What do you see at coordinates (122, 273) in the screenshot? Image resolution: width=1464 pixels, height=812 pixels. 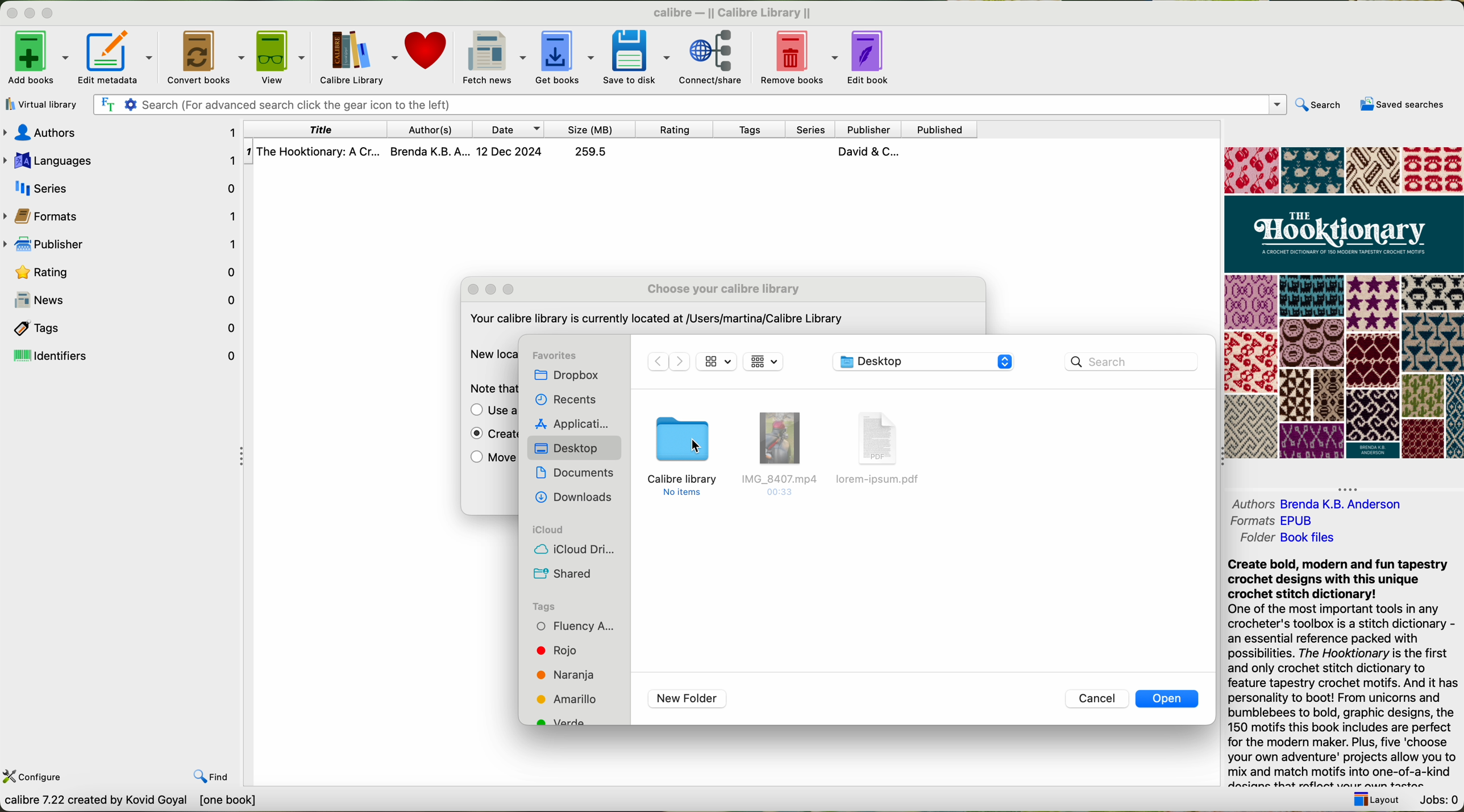 I see `rating` at bounding box center [122, 273].